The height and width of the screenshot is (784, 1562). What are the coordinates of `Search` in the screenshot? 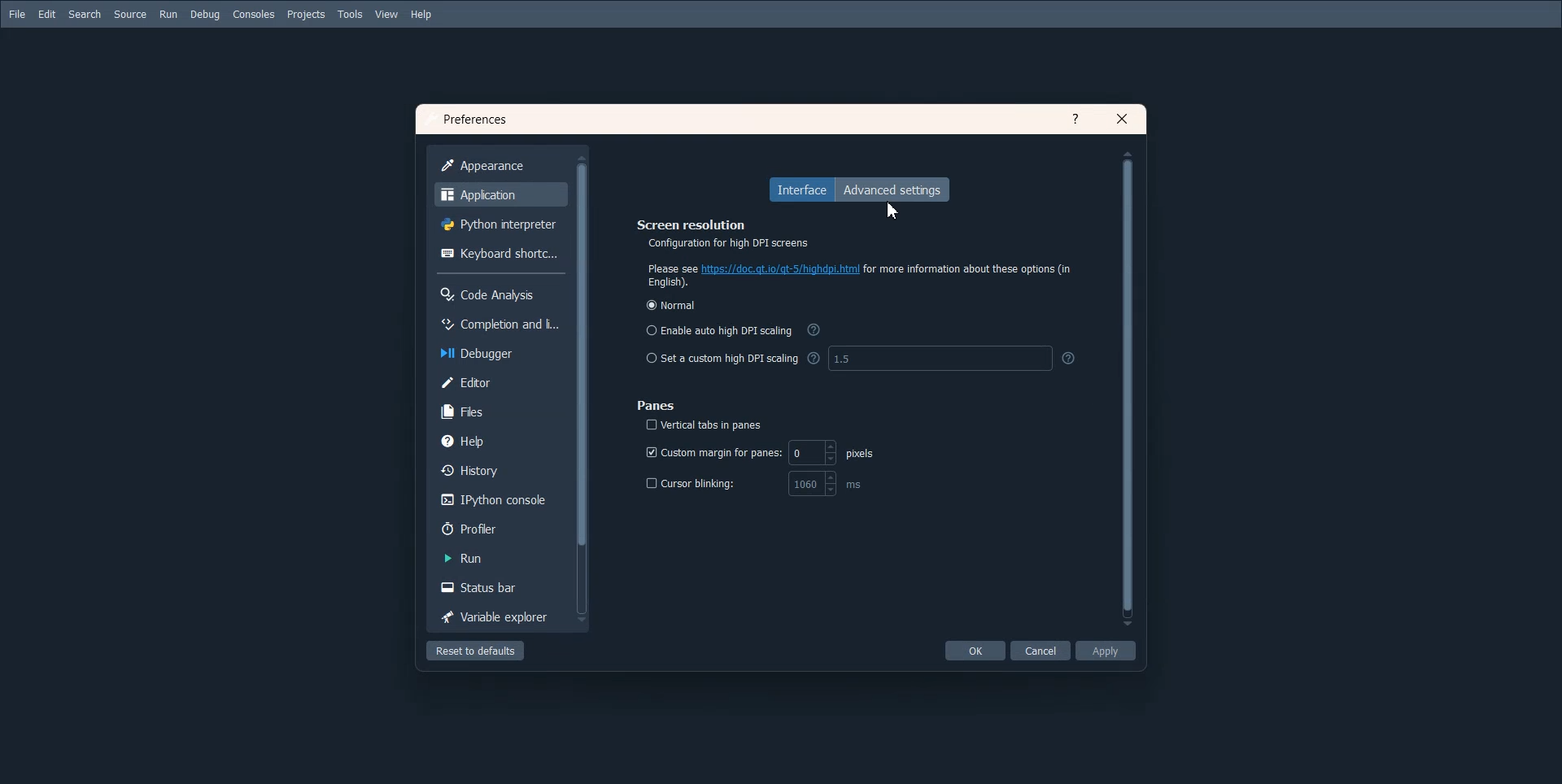 It's located at (85, 15).